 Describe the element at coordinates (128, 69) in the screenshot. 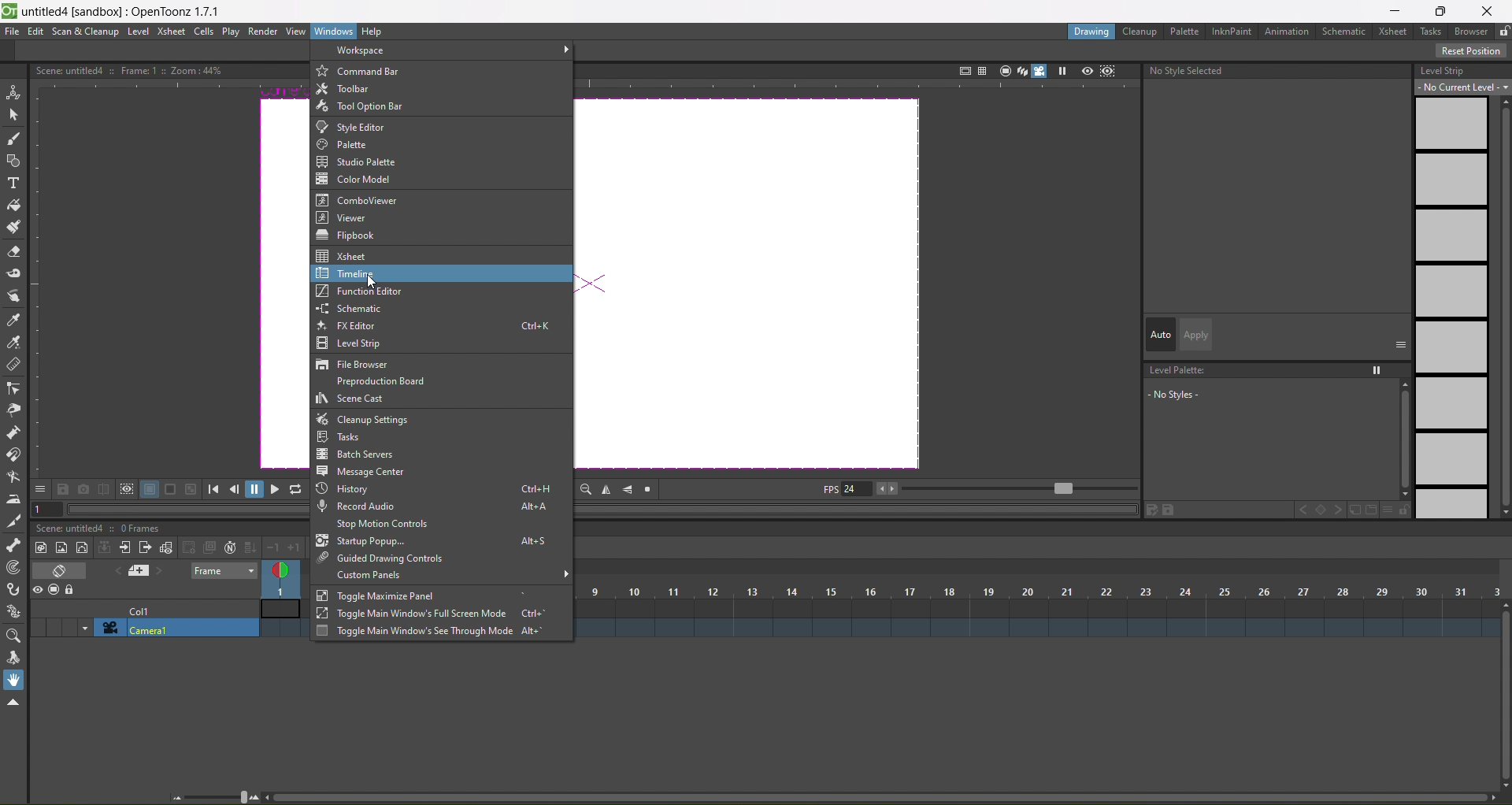

I see `text` at that location.